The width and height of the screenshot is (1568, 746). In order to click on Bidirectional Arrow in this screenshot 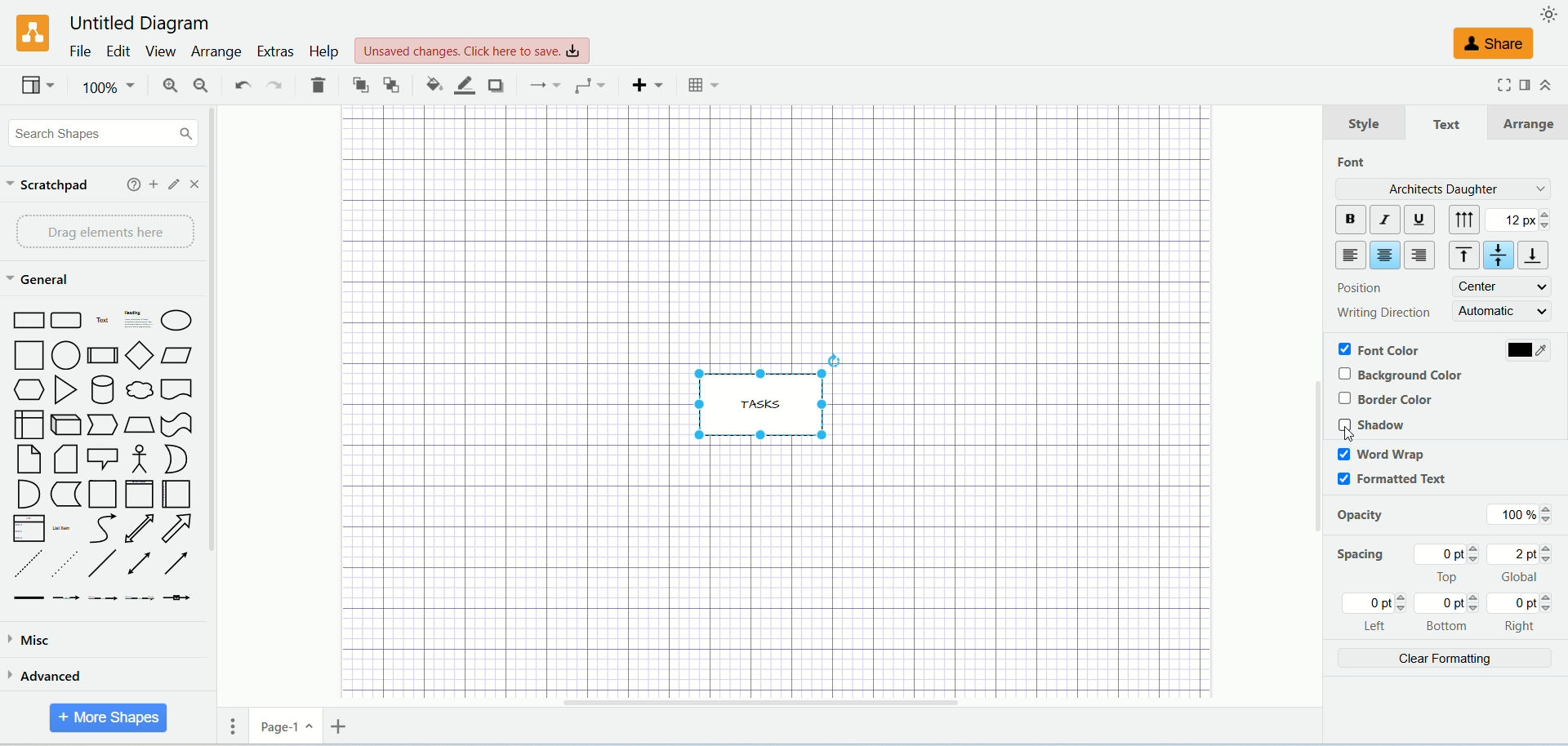, I will do `click(139, 528)`.